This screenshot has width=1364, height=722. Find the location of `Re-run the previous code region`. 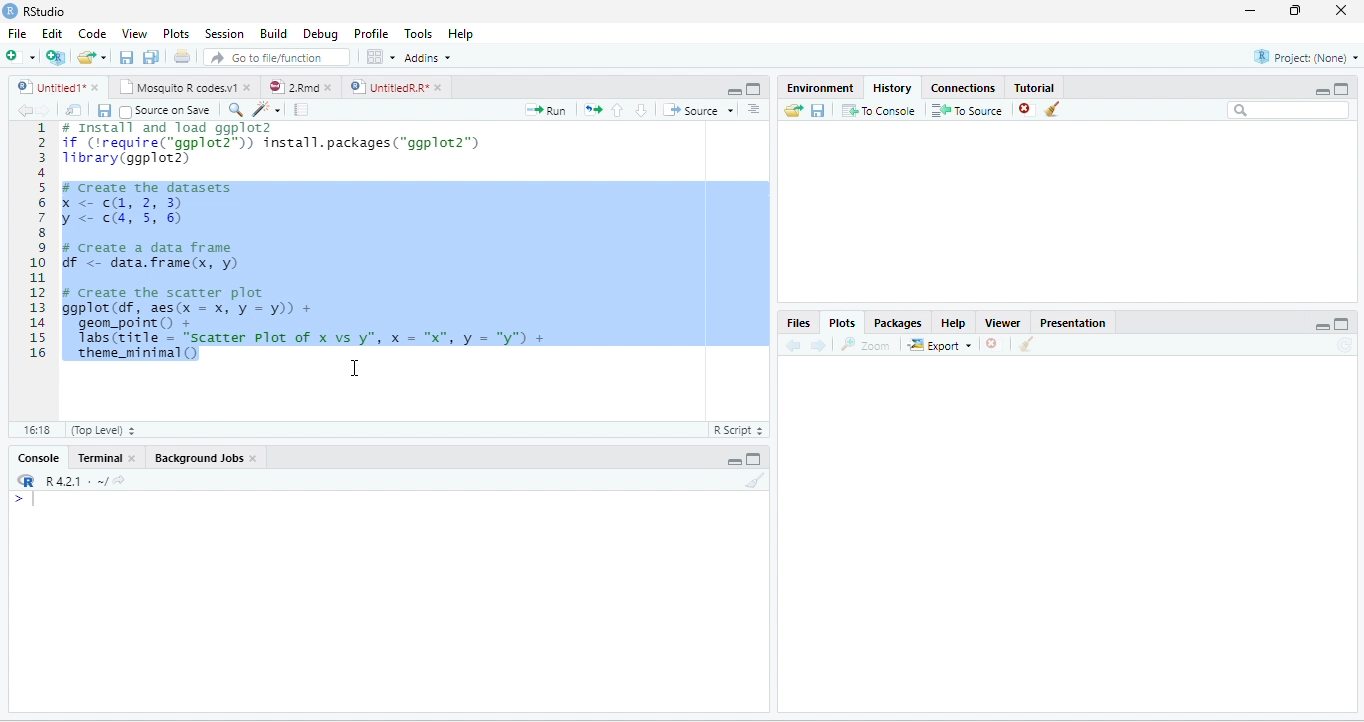

Re-run the previous code region is located at coordinates (593, 110).